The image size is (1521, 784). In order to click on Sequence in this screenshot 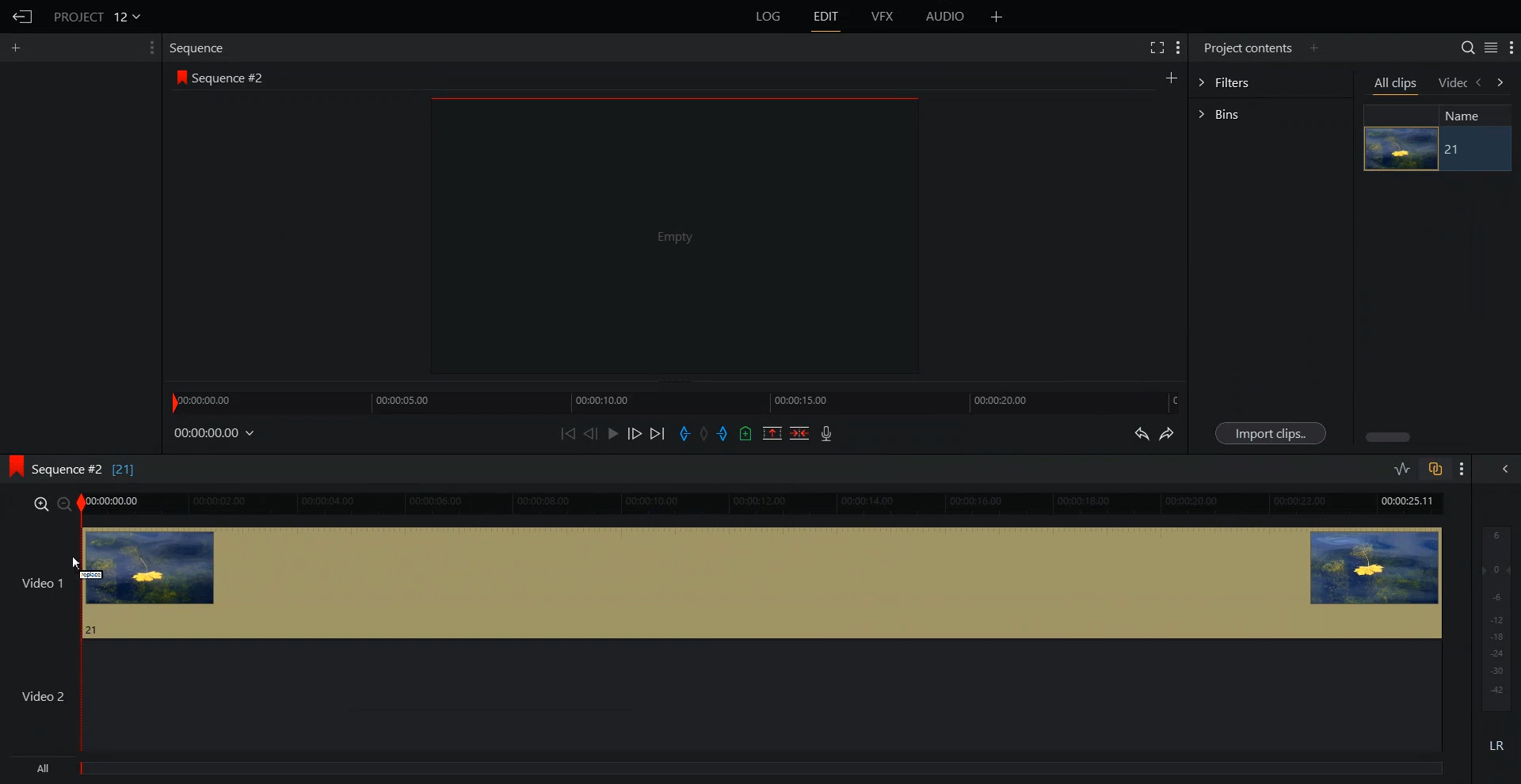, I will do `click(201, 48)`.